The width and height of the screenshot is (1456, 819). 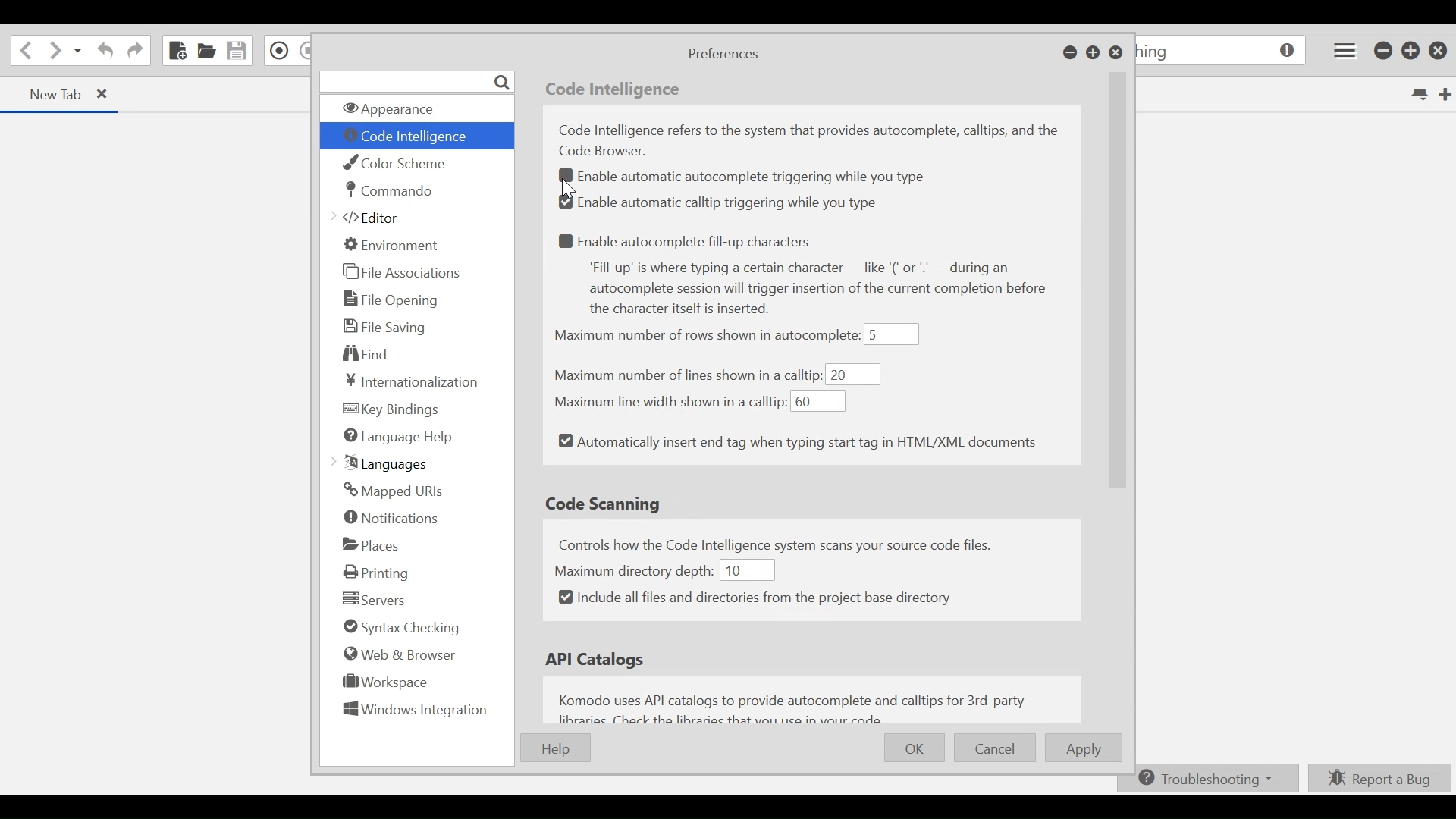 I want to click on File Opening, so click(x=394, y=299).